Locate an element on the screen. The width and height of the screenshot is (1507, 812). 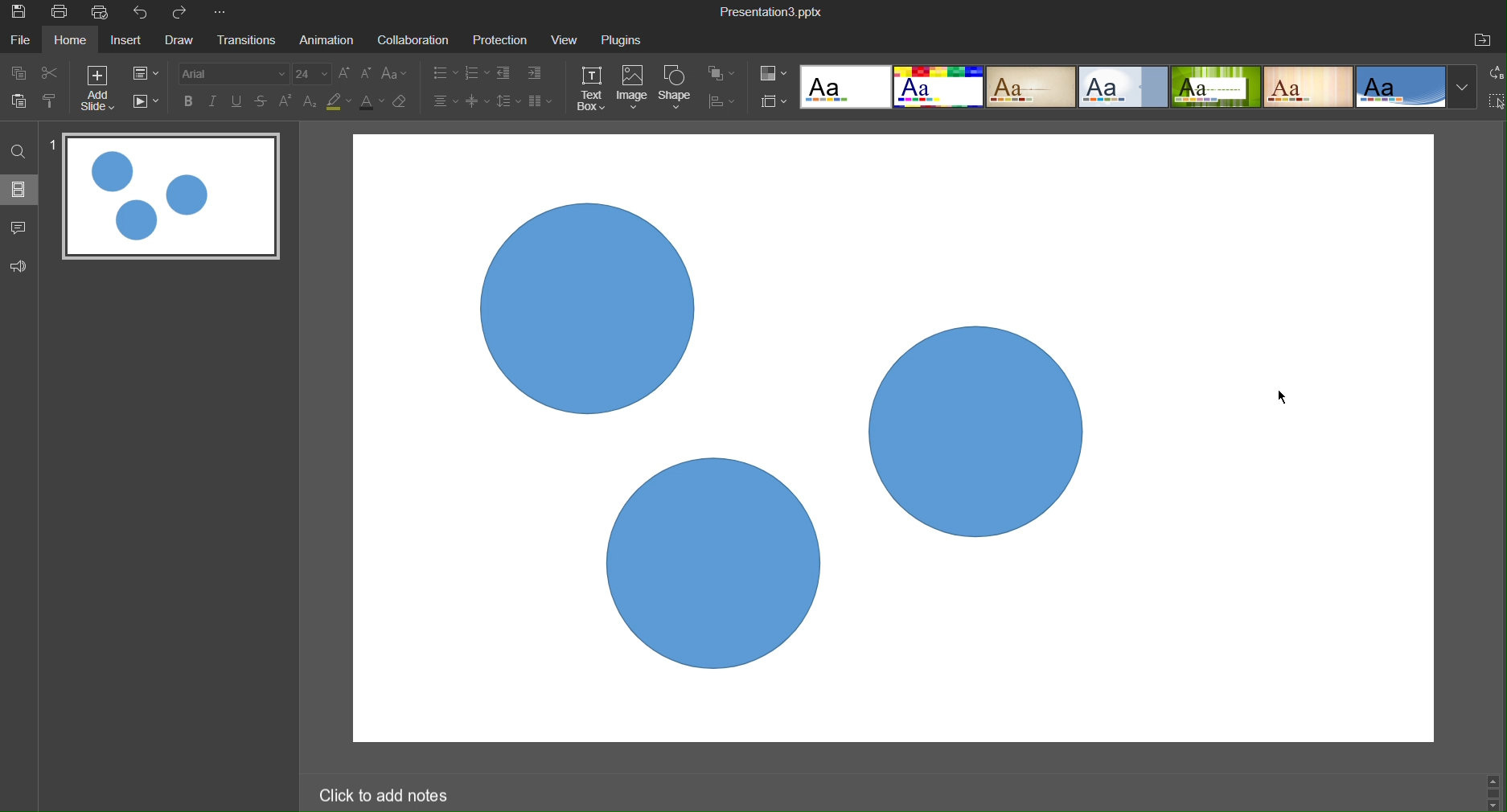
Text Color is located at coordinates (371, 105).